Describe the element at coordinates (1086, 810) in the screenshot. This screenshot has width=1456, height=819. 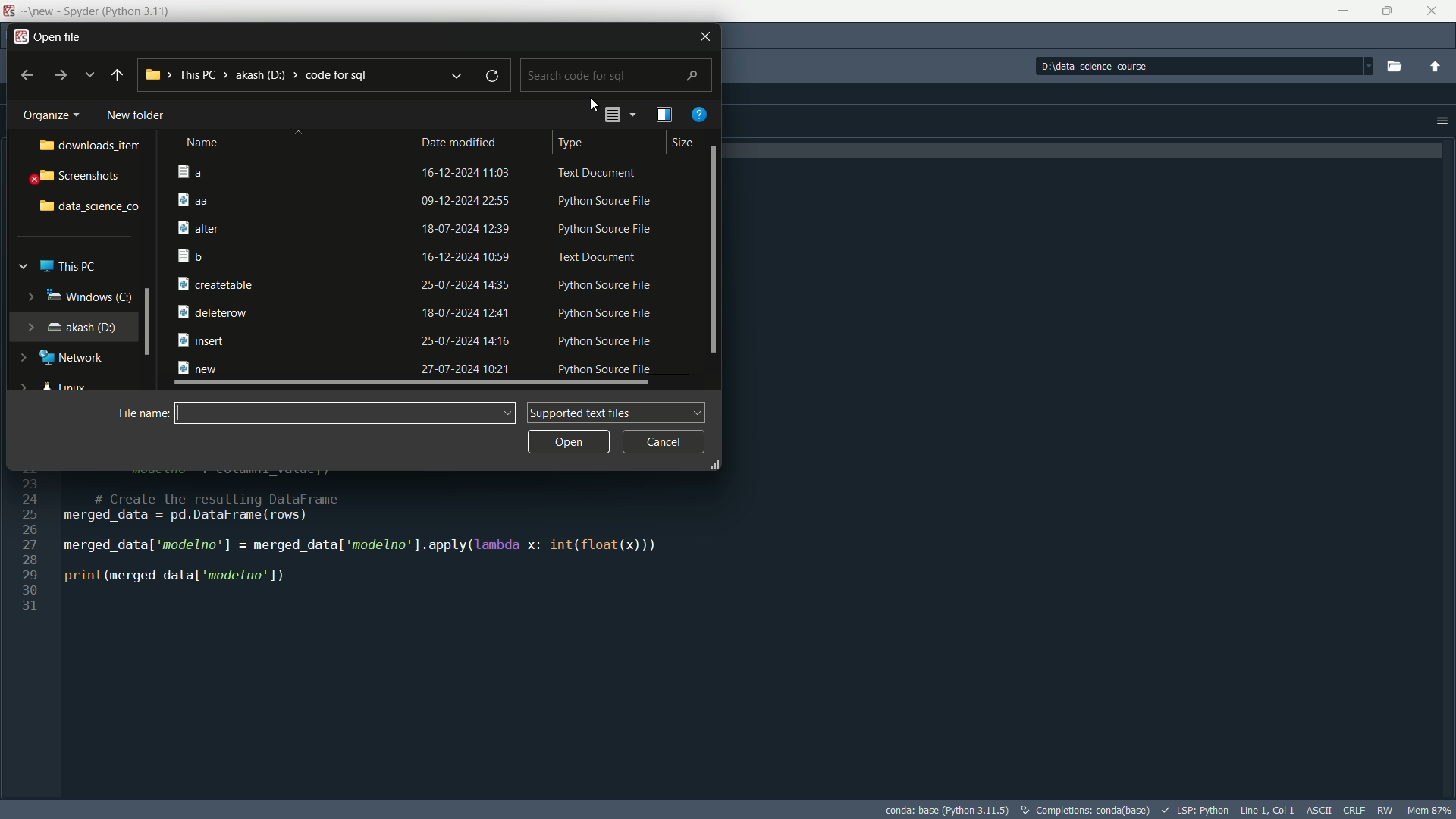
I see `text` at that location.